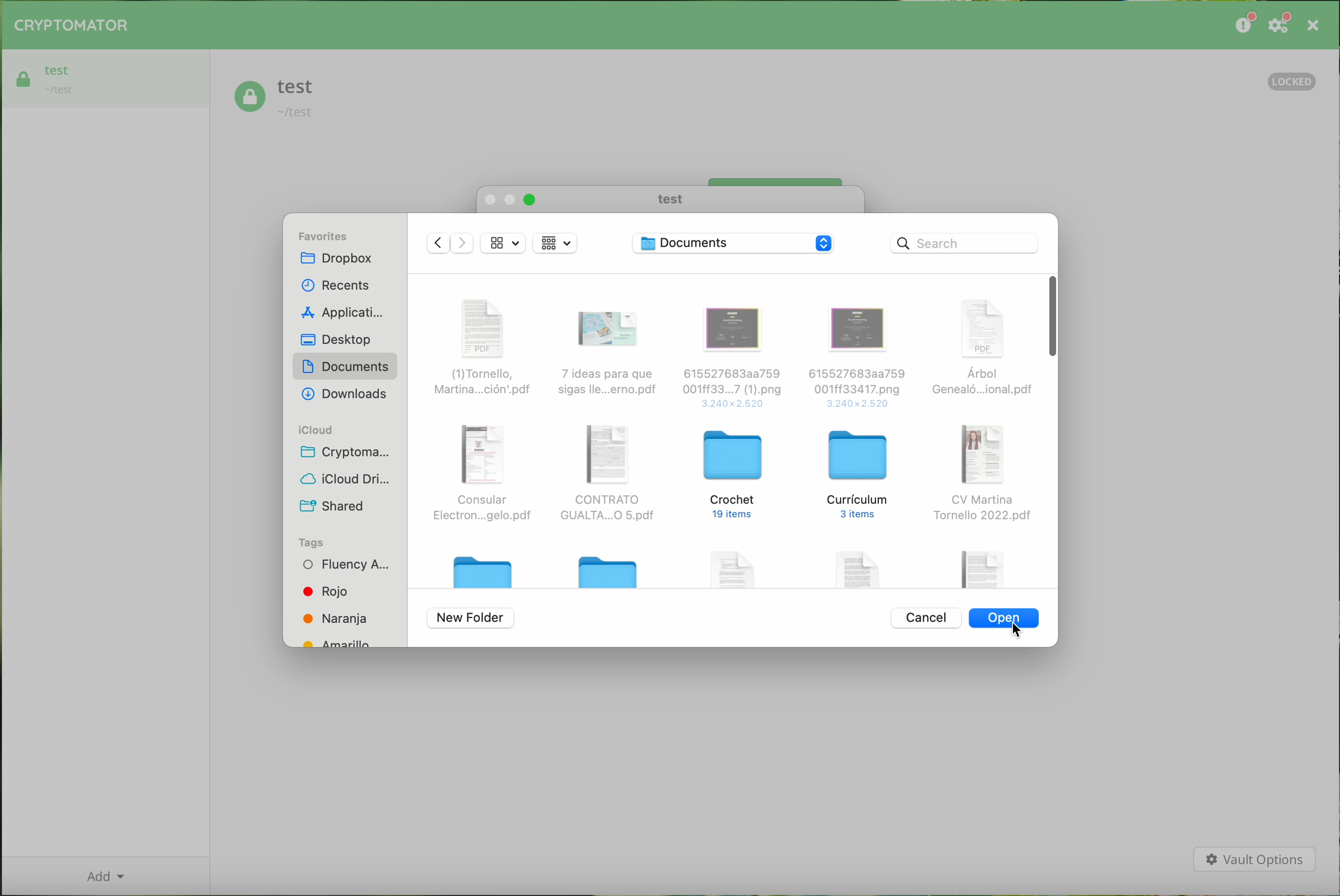 The image size is (1340, 896). I want to click on scroll bar, so click(1051, 316).